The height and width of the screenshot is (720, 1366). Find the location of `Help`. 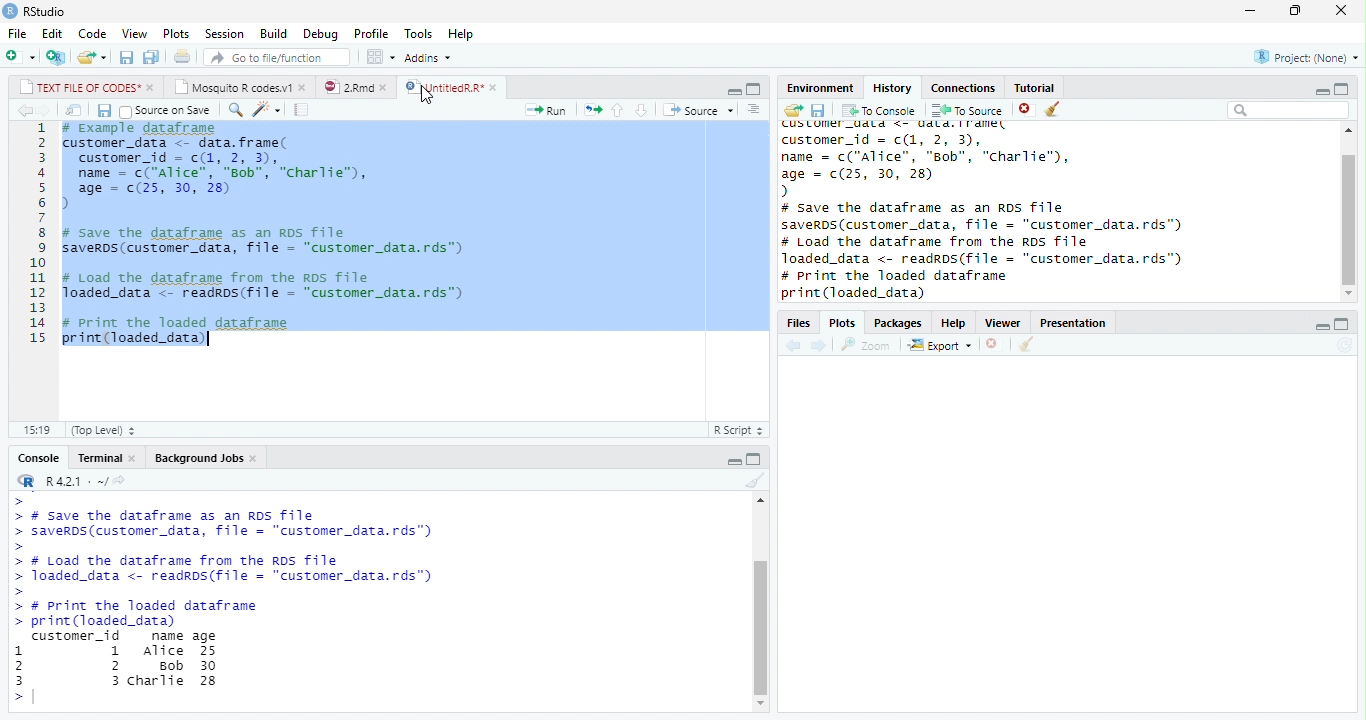

Help is located at coordinates (953, 324).